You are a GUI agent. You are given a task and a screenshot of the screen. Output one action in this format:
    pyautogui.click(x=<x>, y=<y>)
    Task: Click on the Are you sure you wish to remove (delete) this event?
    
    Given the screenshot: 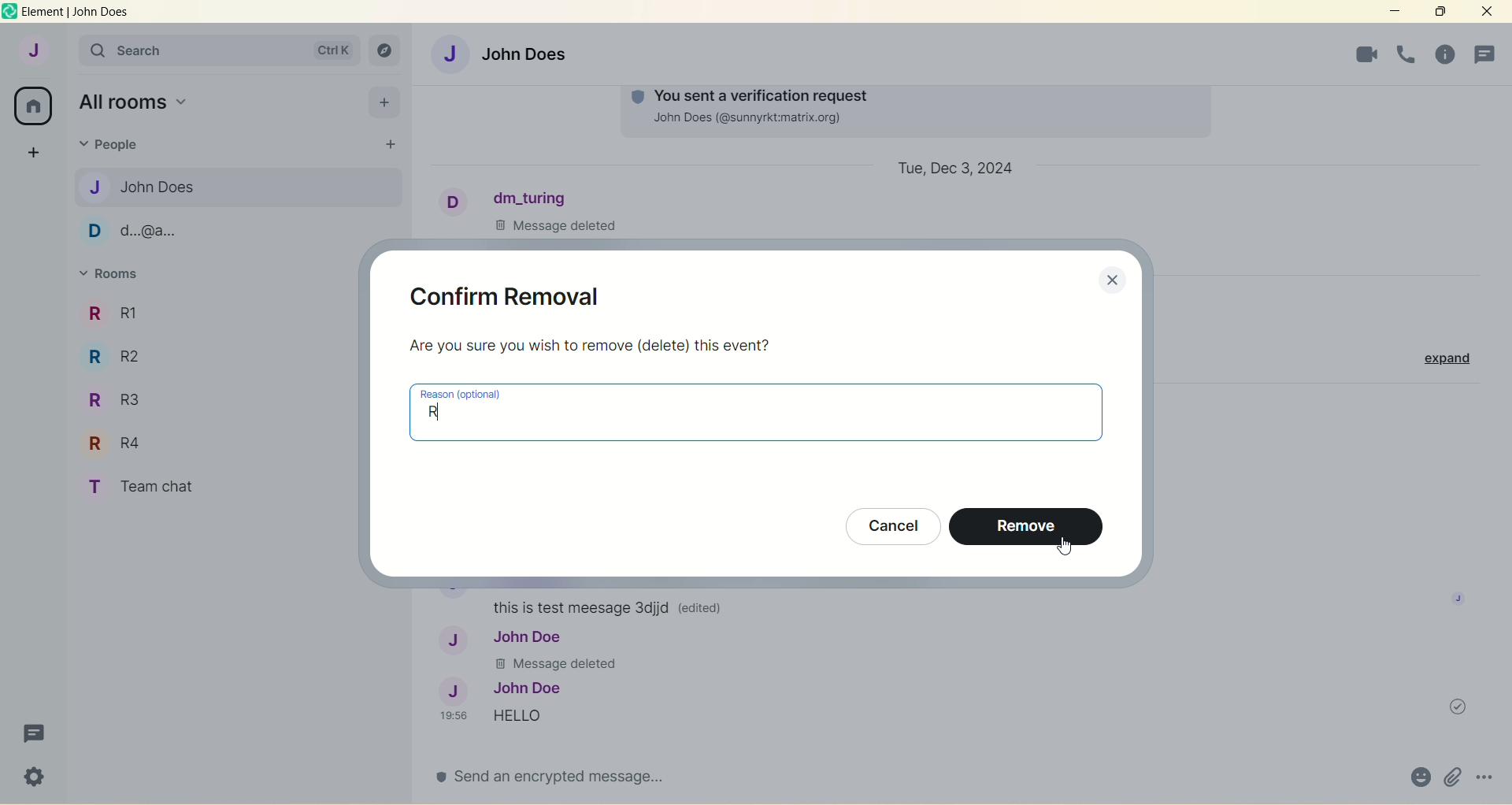 What is the action you would take?
    pyautogui.click(x=599, y=346)
    